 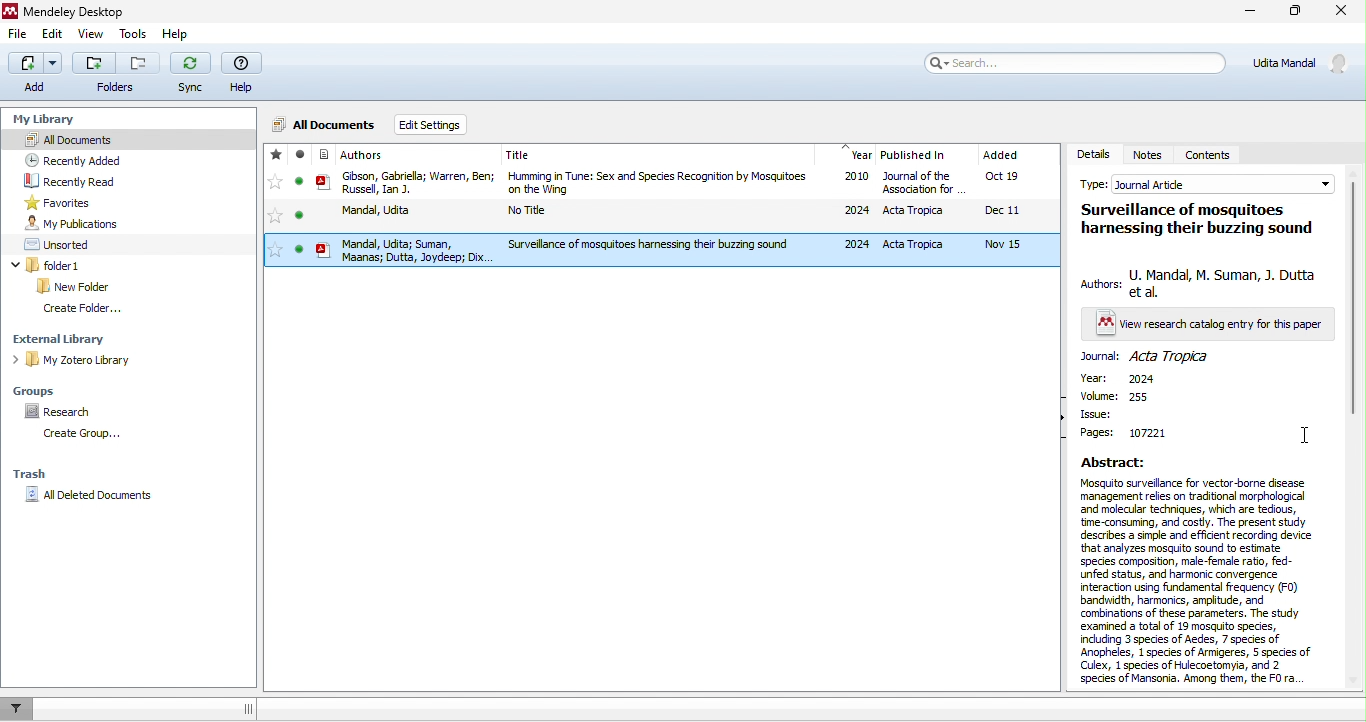 I want to click on Mendeley Desktop, so click(x=65, y=11).